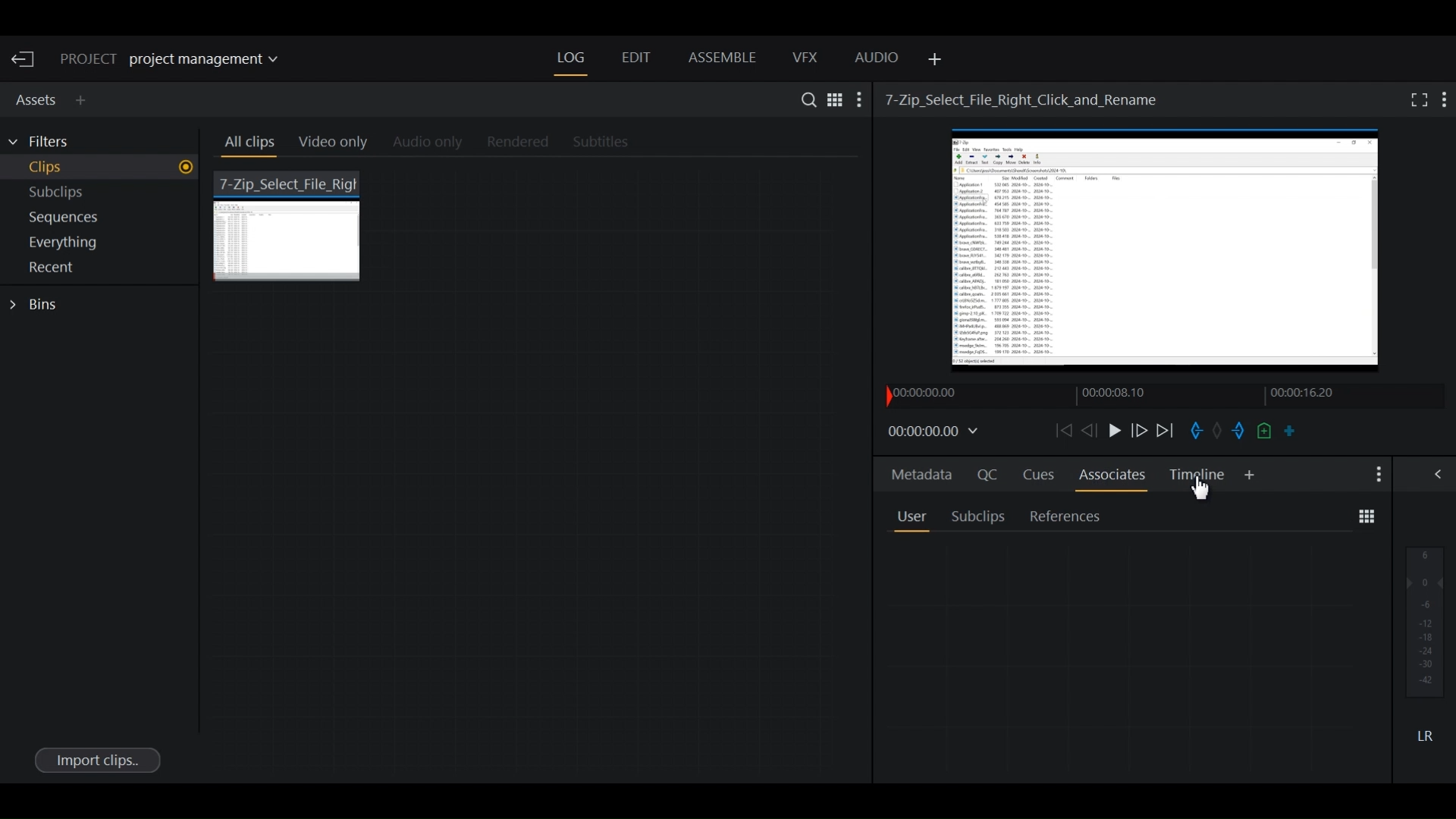 This screenshot has height=819, width=1456. I want to click on Show everything in current project, so click(103, 244).